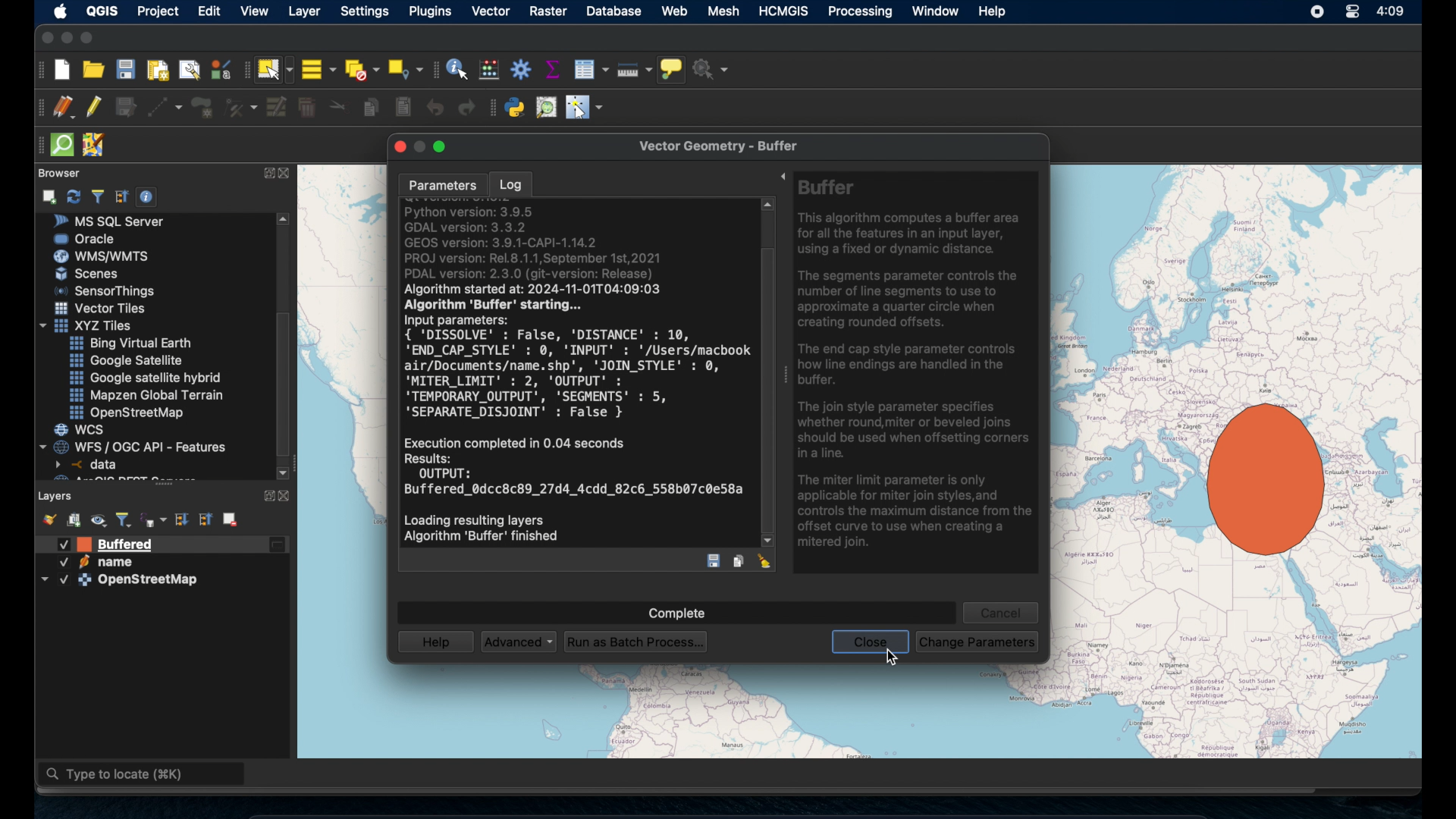  Describe the element at coordinates (767, 388) in the screenshot. I see `scroll box` at that location.